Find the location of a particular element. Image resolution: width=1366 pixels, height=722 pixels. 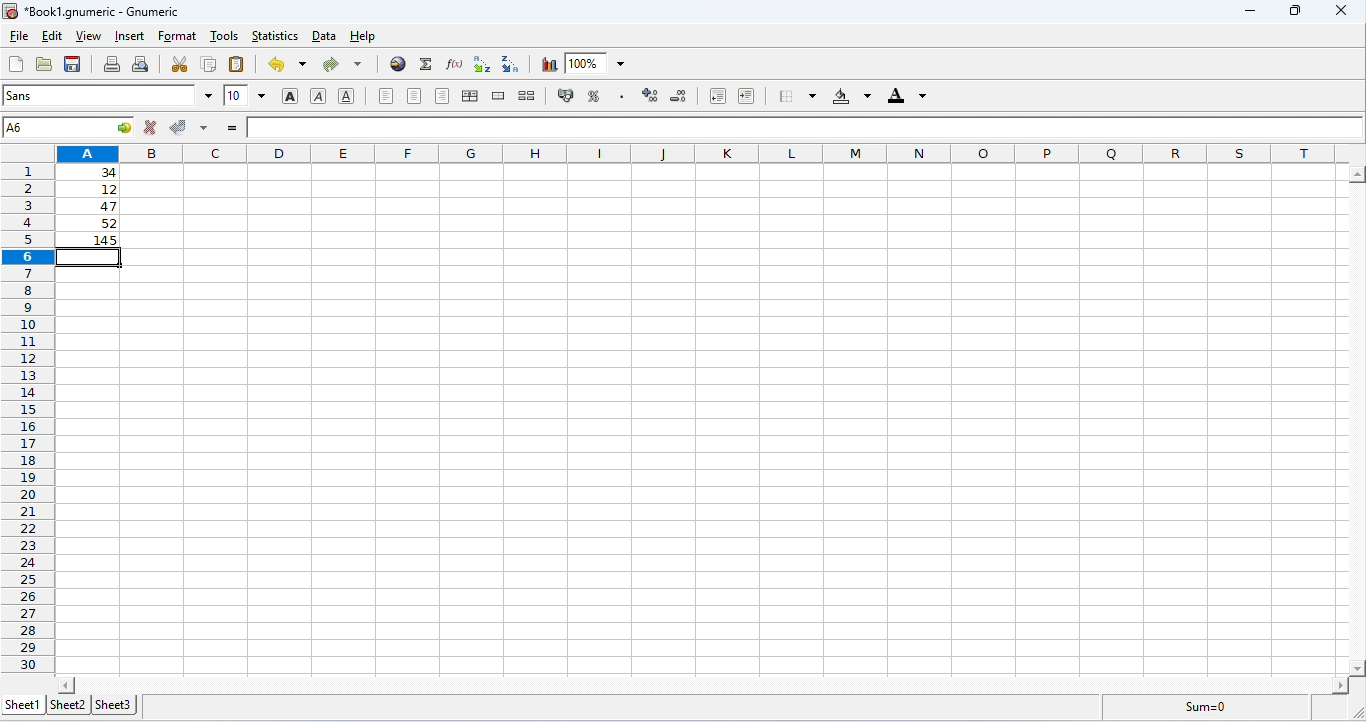

12 is located at coordinates (92, 190).